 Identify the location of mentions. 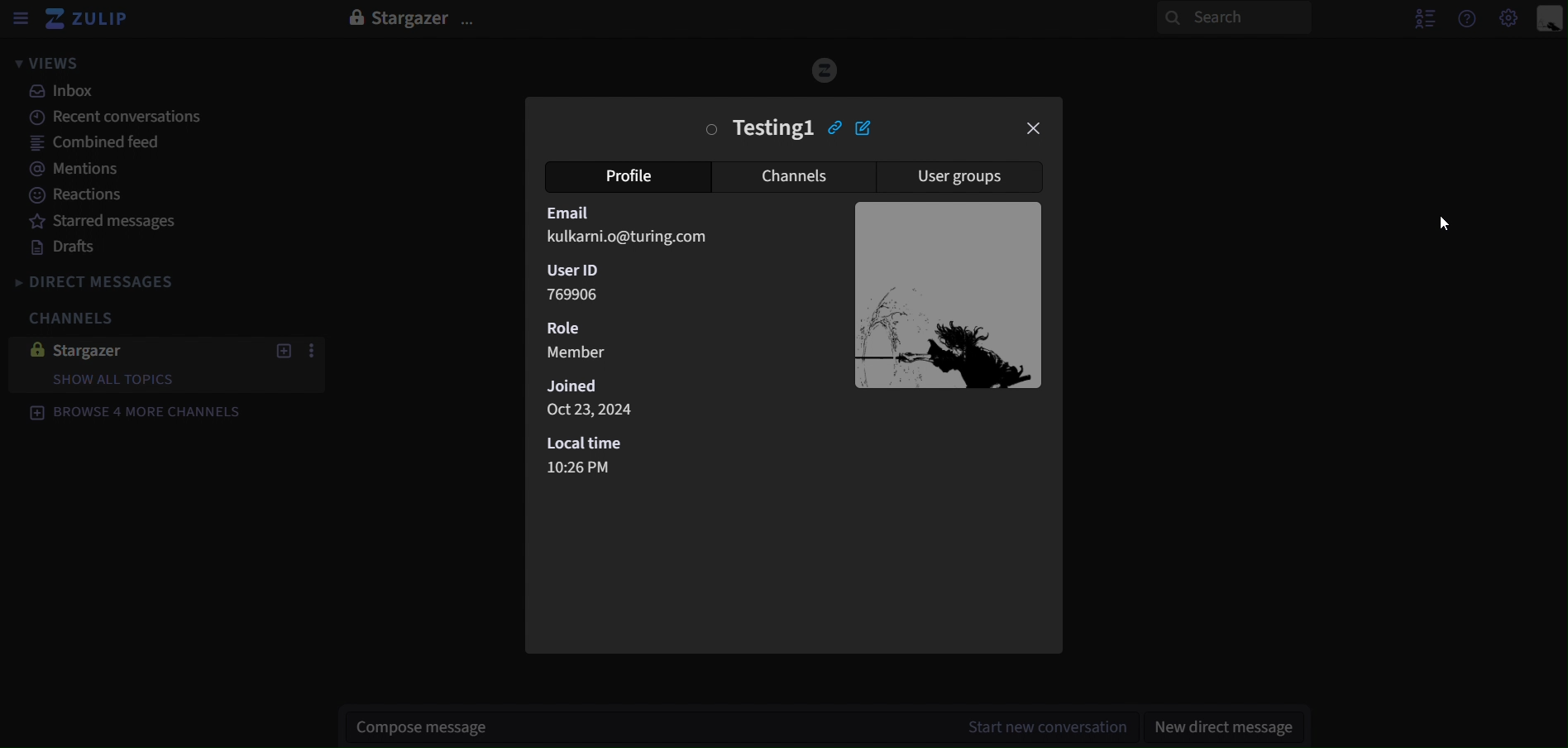
(79, 170).